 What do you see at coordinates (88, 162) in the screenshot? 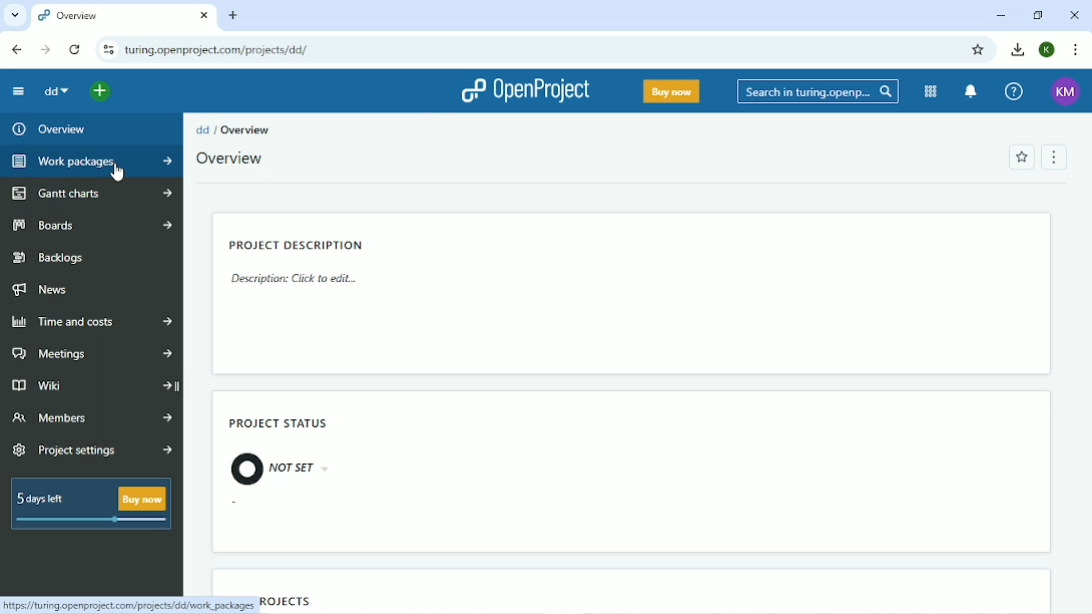
I see `Work packages` at bounding box center [88, 162].